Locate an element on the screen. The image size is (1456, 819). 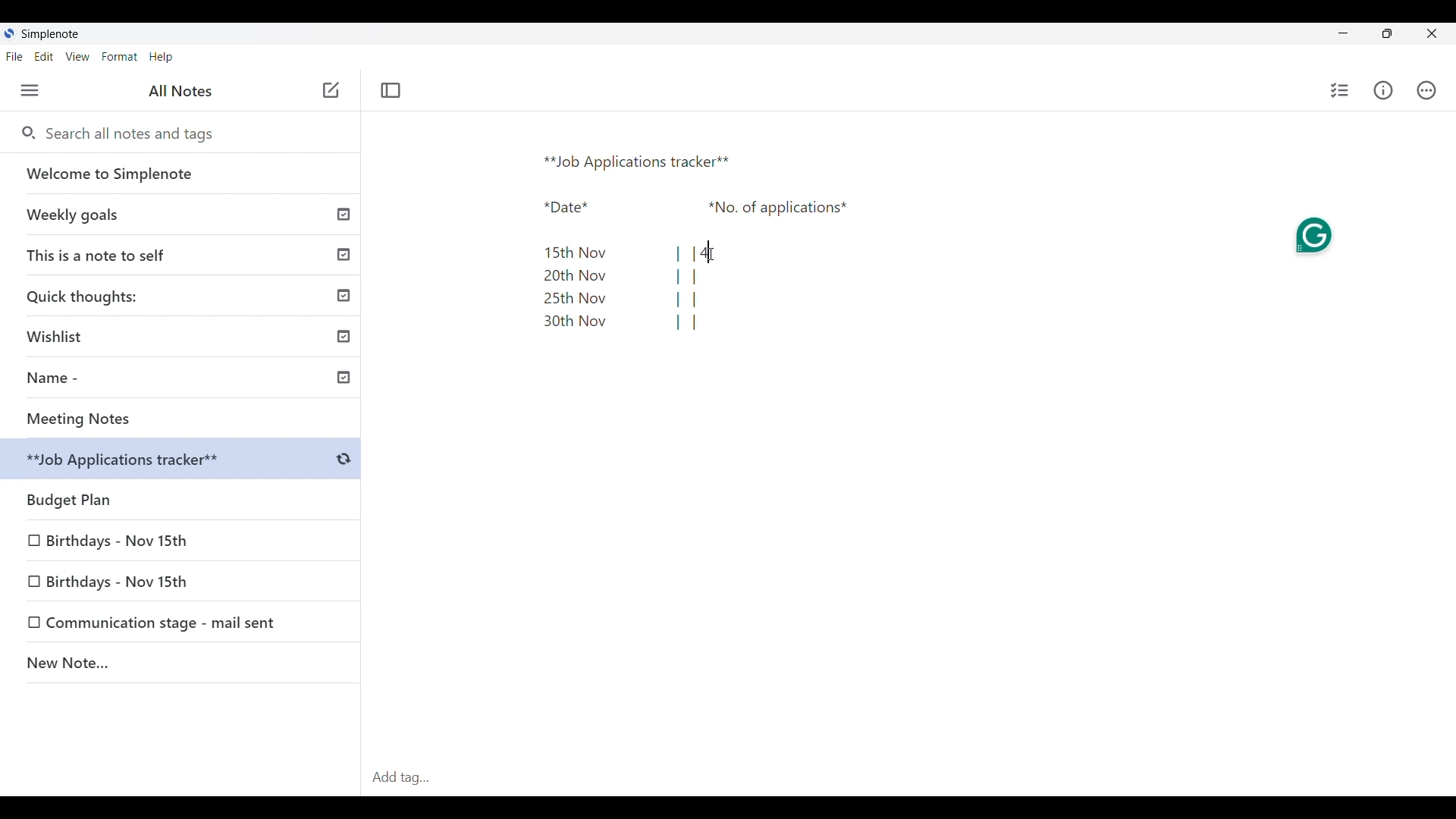
Actions is located at coordinates (1426, 90).